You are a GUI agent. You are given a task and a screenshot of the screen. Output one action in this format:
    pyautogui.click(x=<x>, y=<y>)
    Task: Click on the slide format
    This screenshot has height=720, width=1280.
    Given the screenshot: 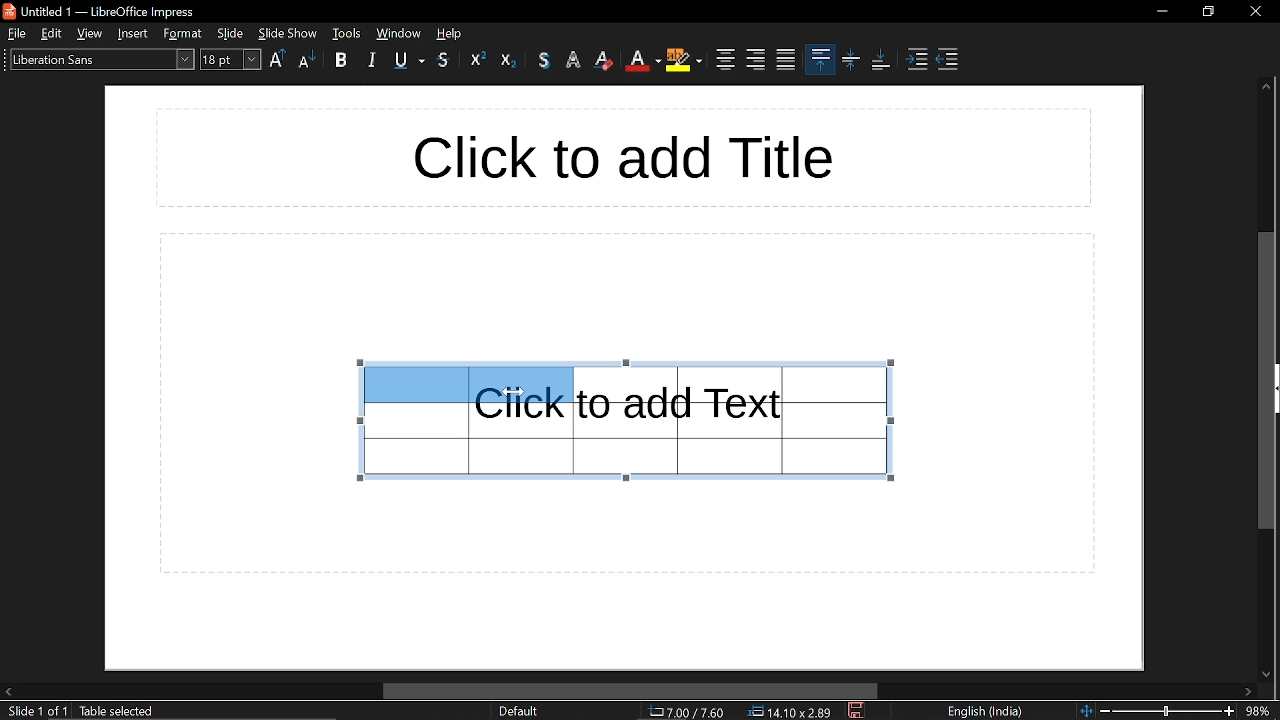 What is the action you would take?
    pyautogui.click(x=518, y=711)
    